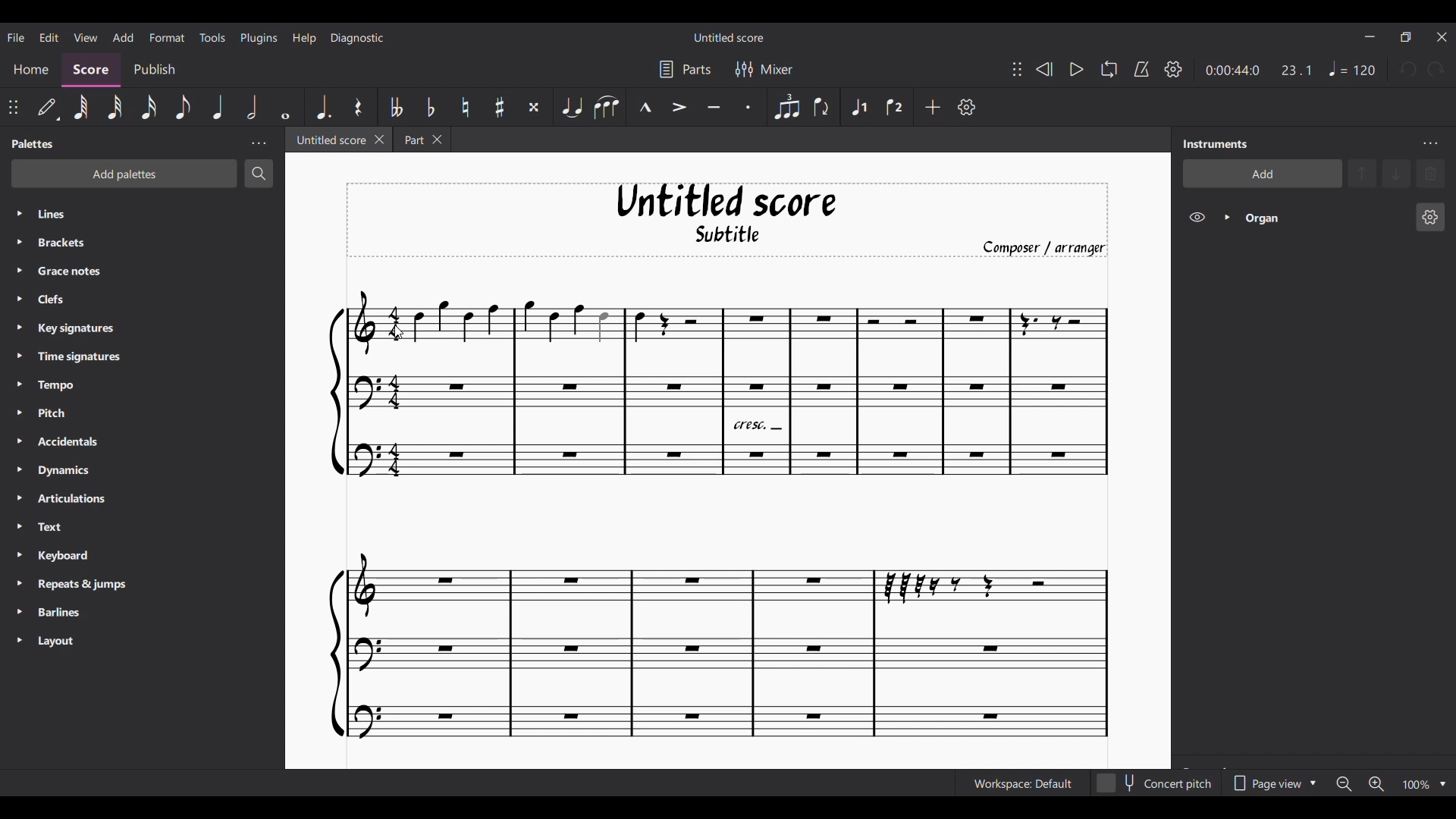  I want to click on Page view options, so click(1272, 783).